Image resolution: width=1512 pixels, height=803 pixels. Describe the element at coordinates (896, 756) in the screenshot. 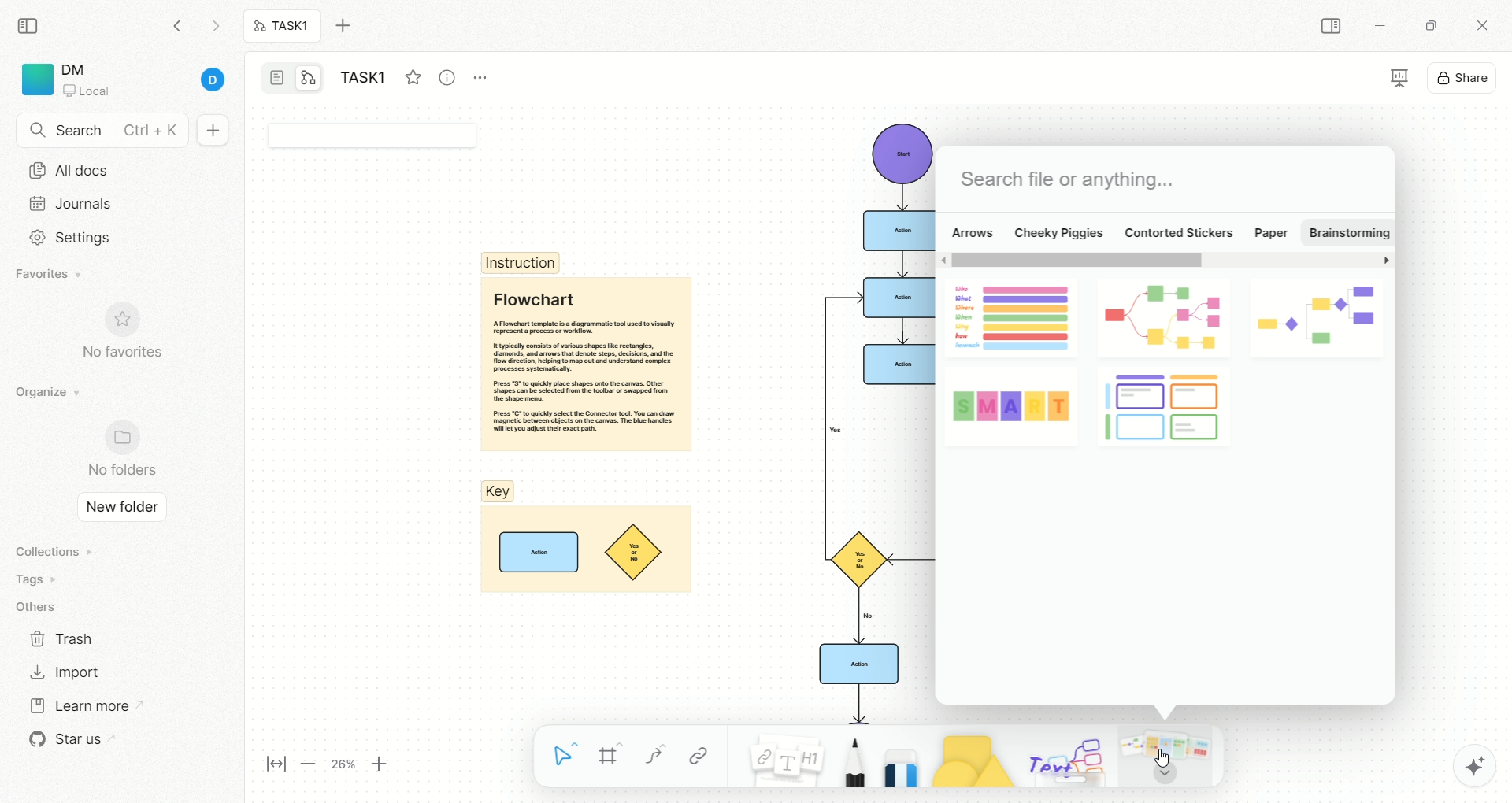

I see `eraser` at that location.